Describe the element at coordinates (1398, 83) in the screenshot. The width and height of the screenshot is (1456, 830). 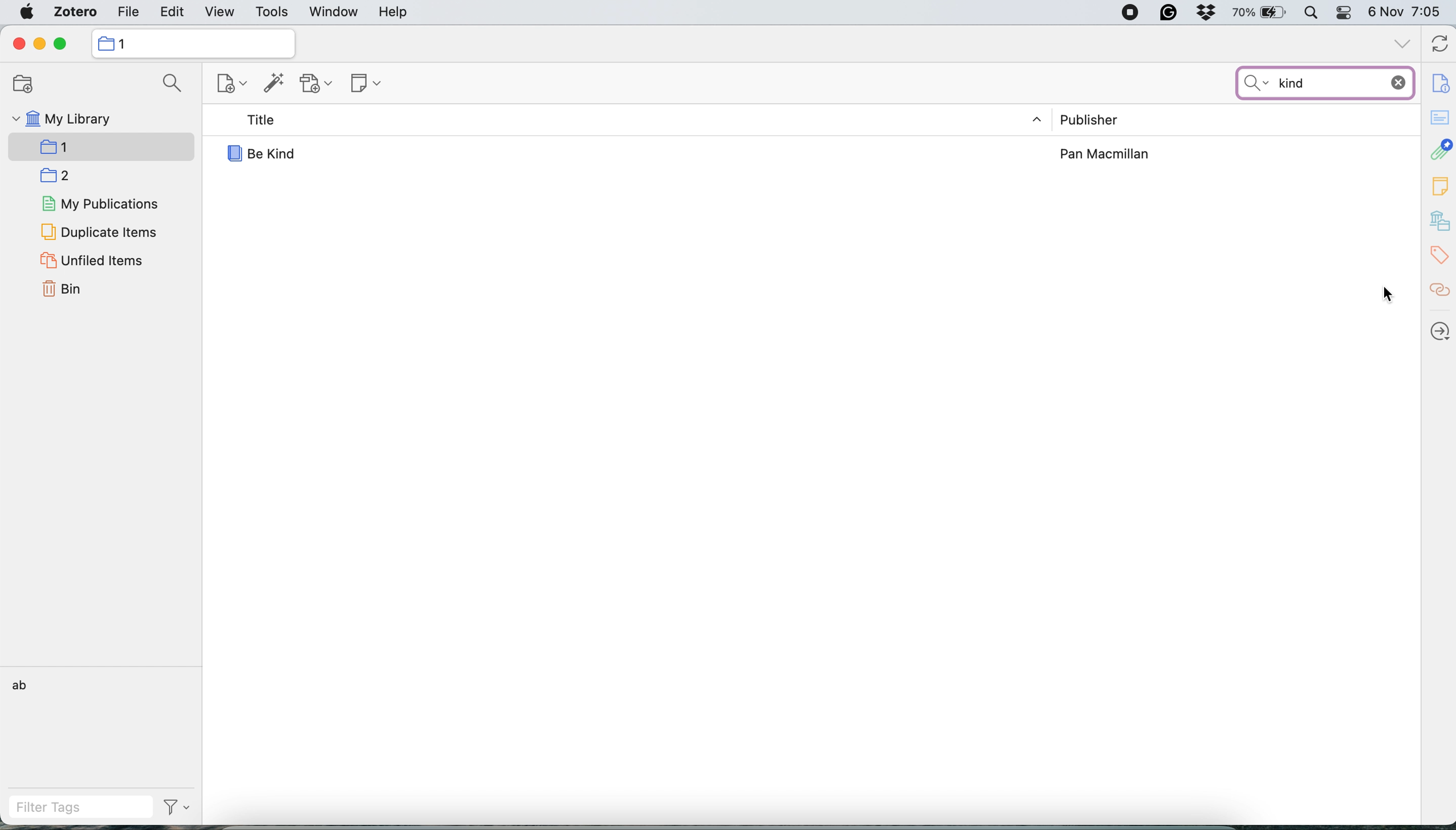
I see `discard input` at that location.